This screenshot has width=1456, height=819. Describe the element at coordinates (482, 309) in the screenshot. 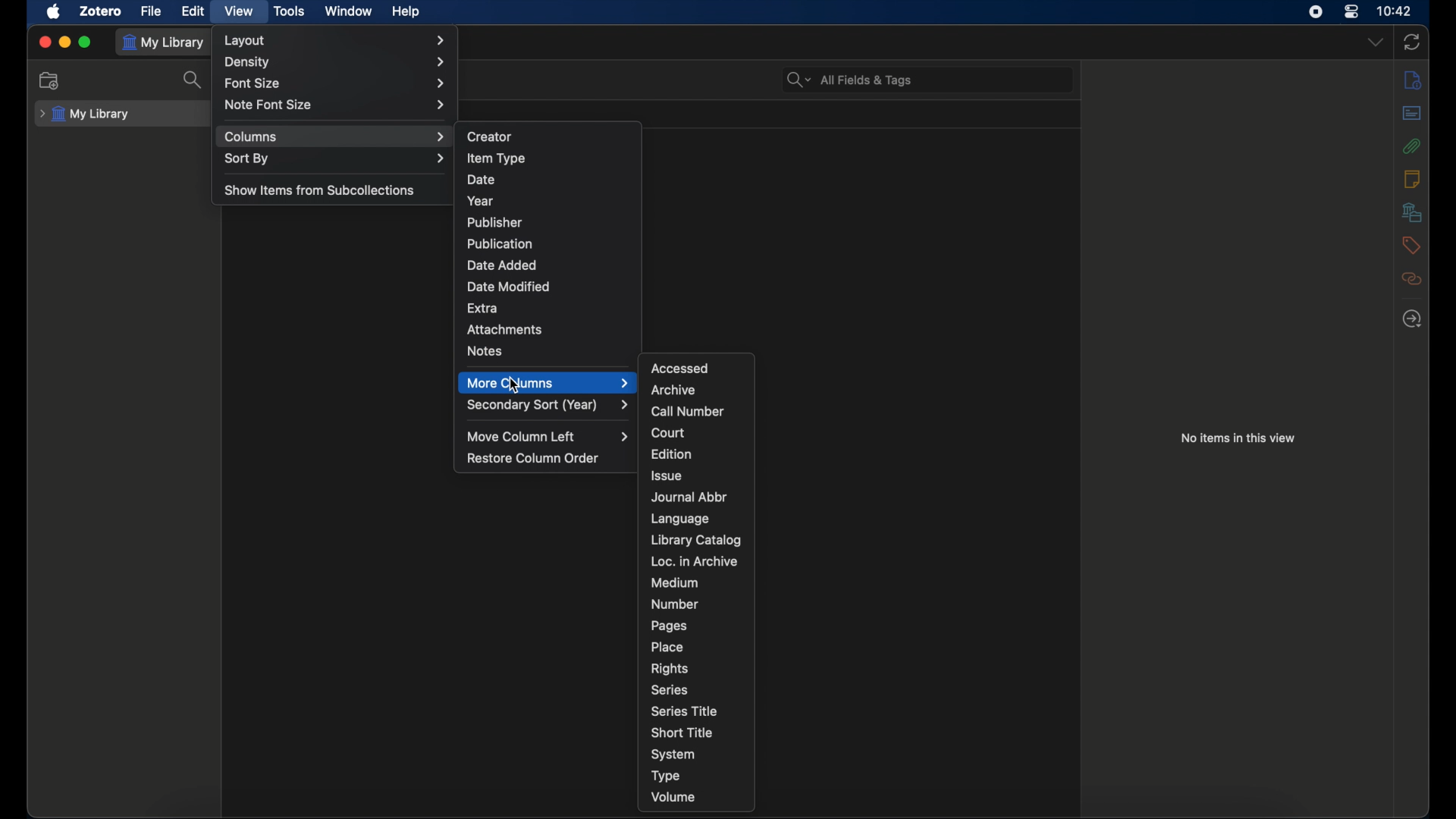

I see `extra` at that location.